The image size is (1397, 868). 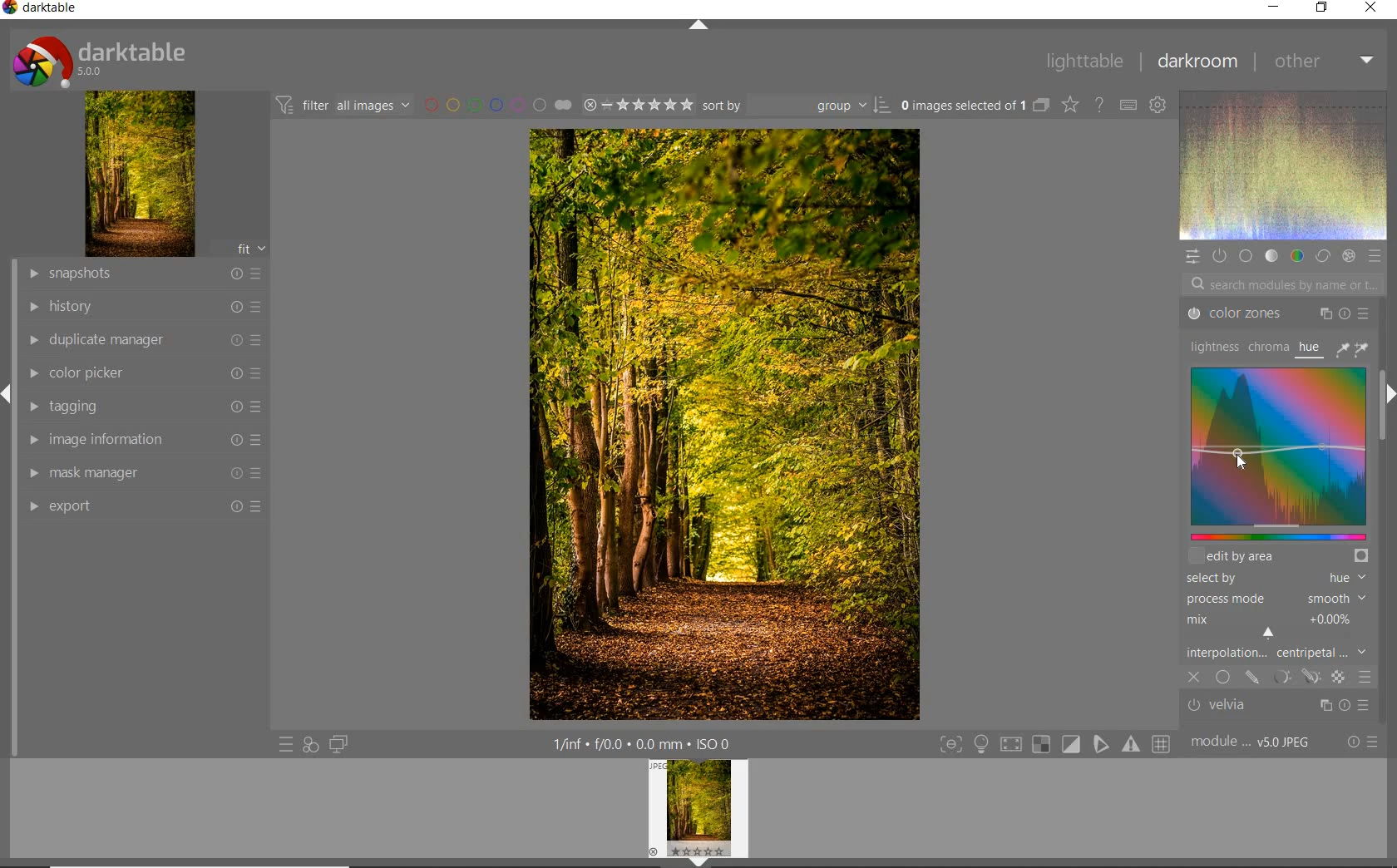 What do you see at coordinates (1323, 257) in the screenshot?
I see `CORRECT` at bounding box center [1323, 257].